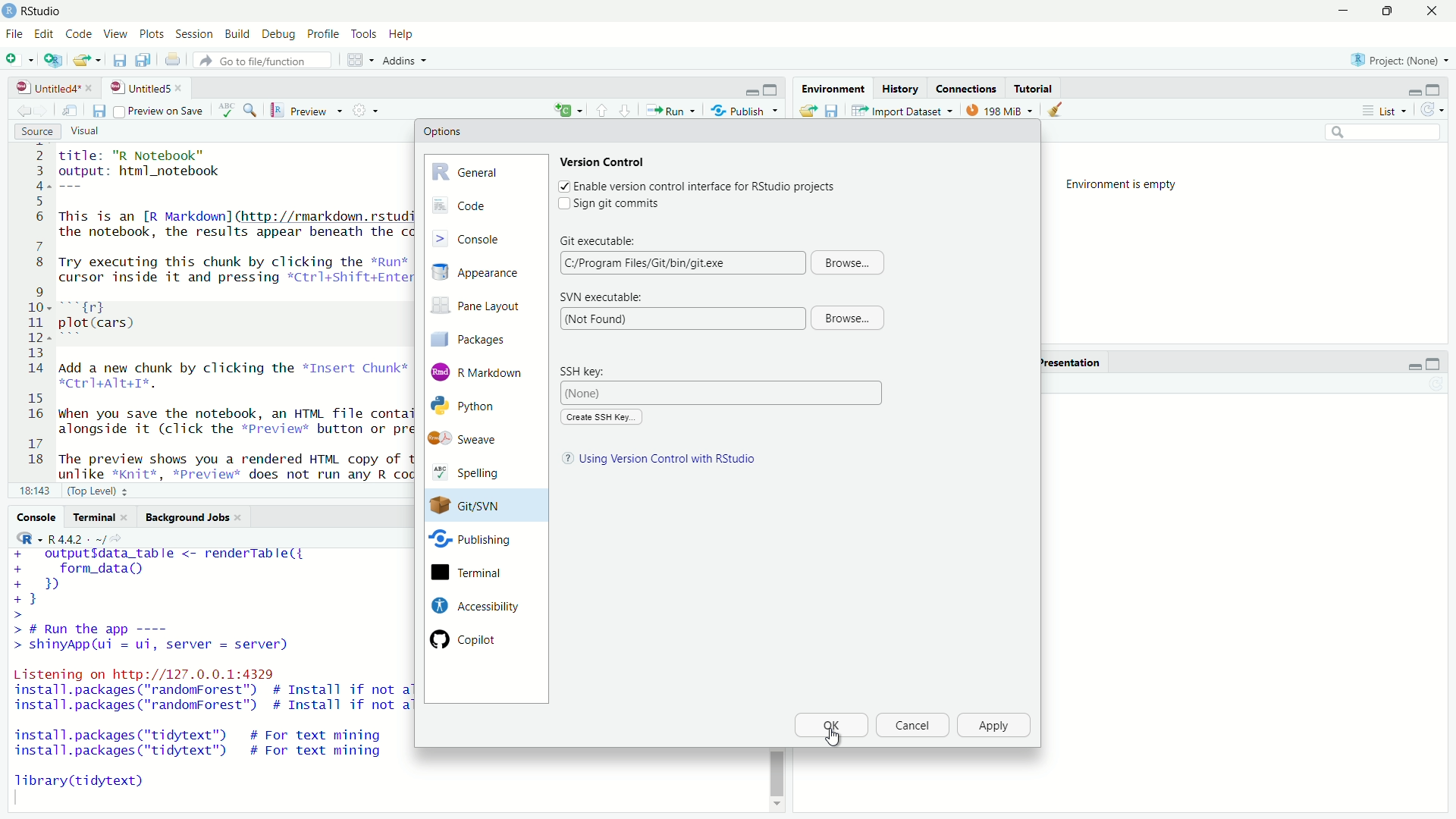  What do you see at coordinates (623, 204) in the screenshot?
I see `Sign git commits` at bounding box center [623, 204].